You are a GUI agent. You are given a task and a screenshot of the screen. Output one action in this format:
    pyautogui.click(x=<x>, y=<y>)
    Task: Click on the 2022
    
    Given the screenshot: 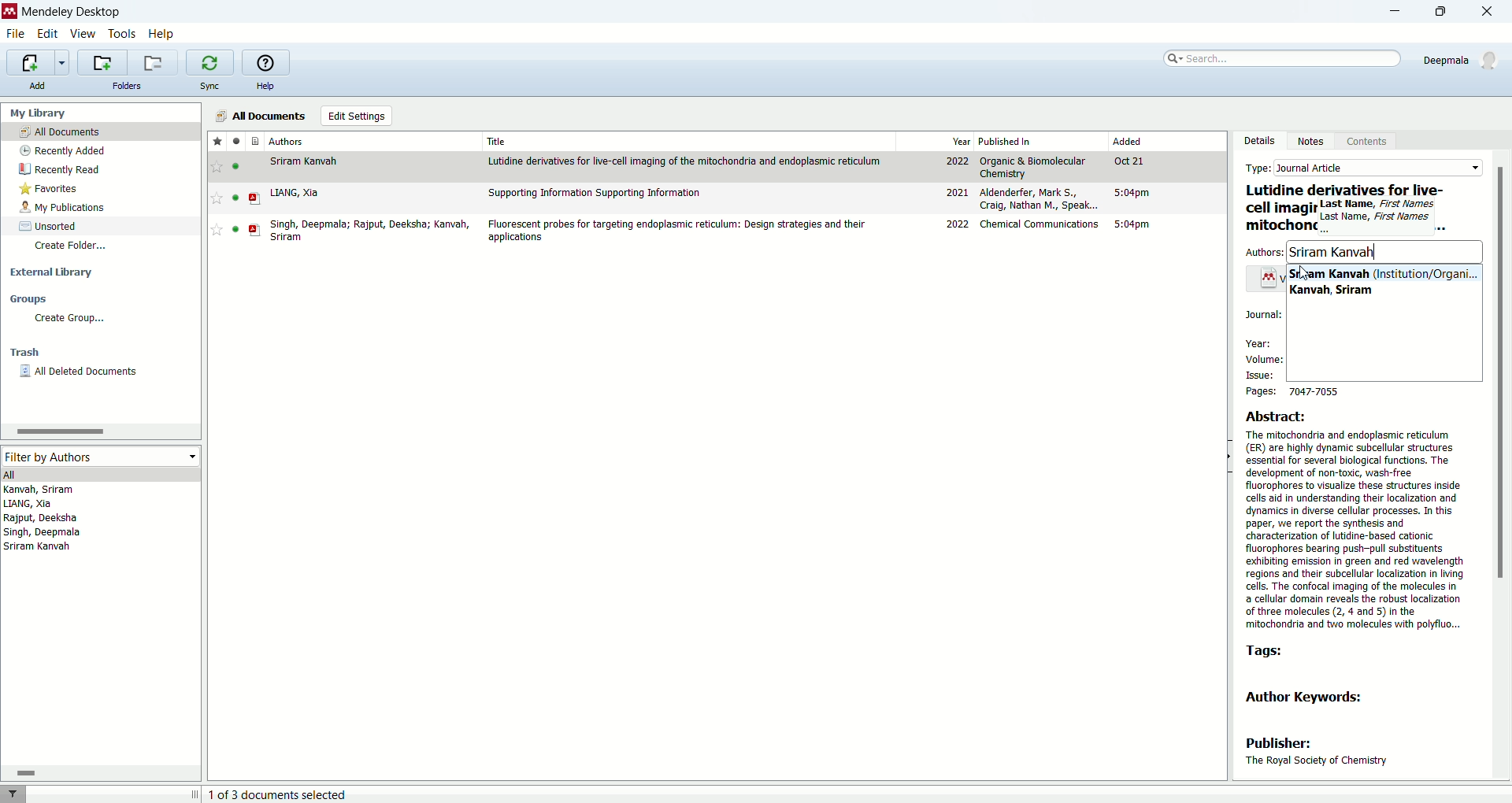 What is the action you would take?
    pyautogui.click(x=957, y=224)
    